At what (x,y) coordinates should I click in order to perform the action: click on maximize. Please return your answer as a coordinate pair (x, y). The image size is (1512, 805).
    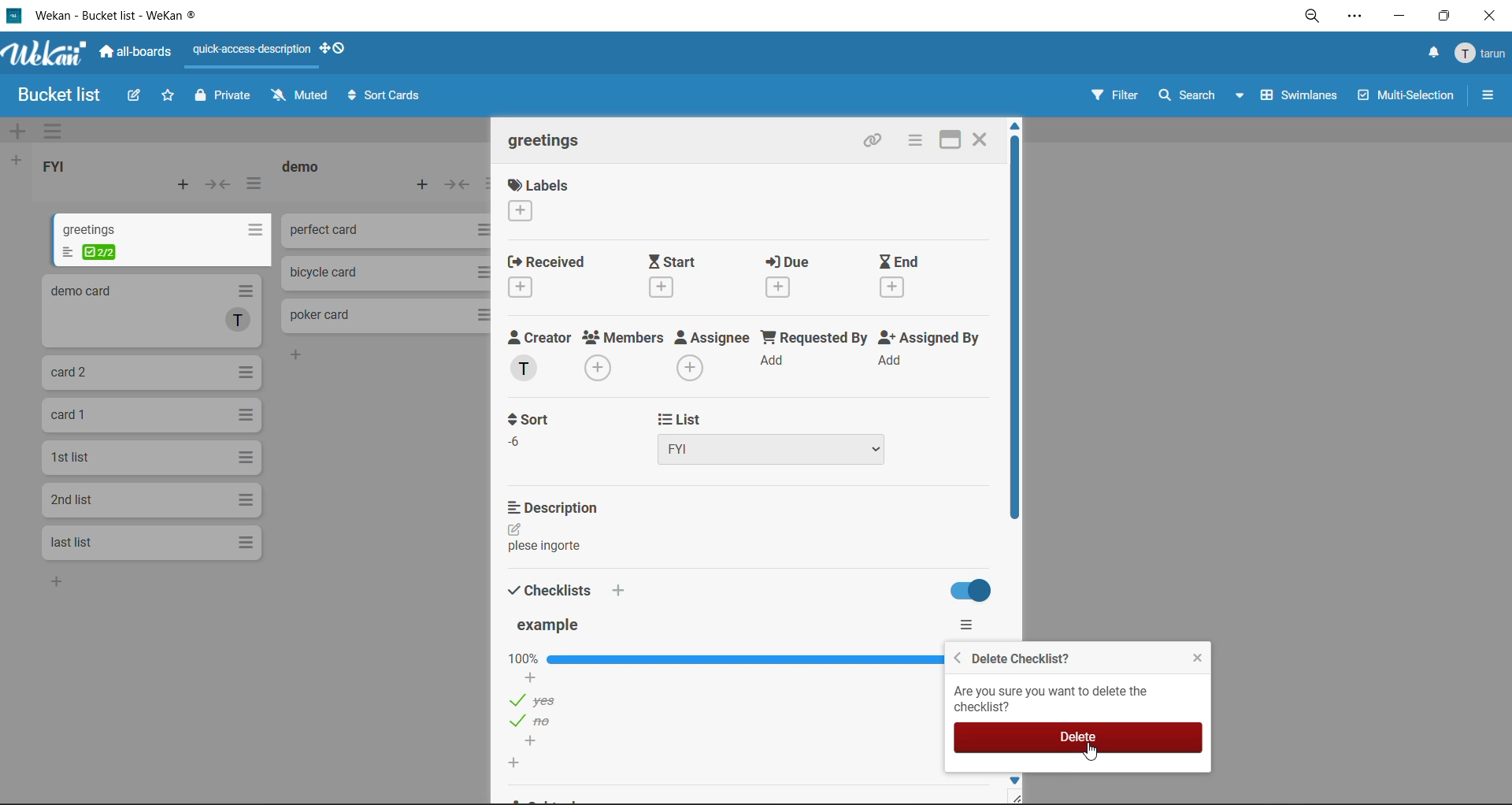
    Looking at the image, I should click on (1445, 16).